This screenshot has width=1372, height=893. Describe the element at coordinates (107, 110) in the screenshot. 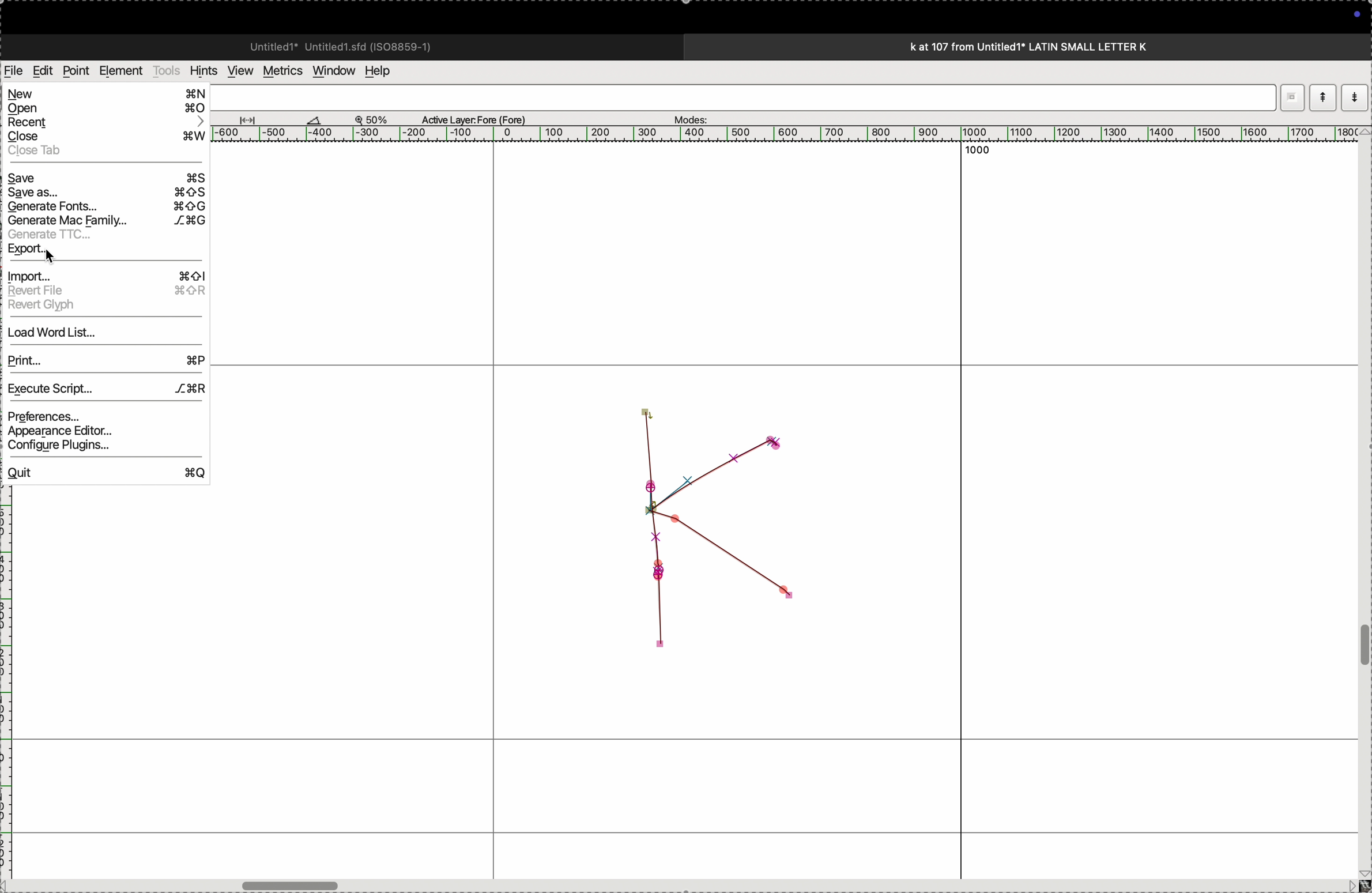

I see `open` at that location.